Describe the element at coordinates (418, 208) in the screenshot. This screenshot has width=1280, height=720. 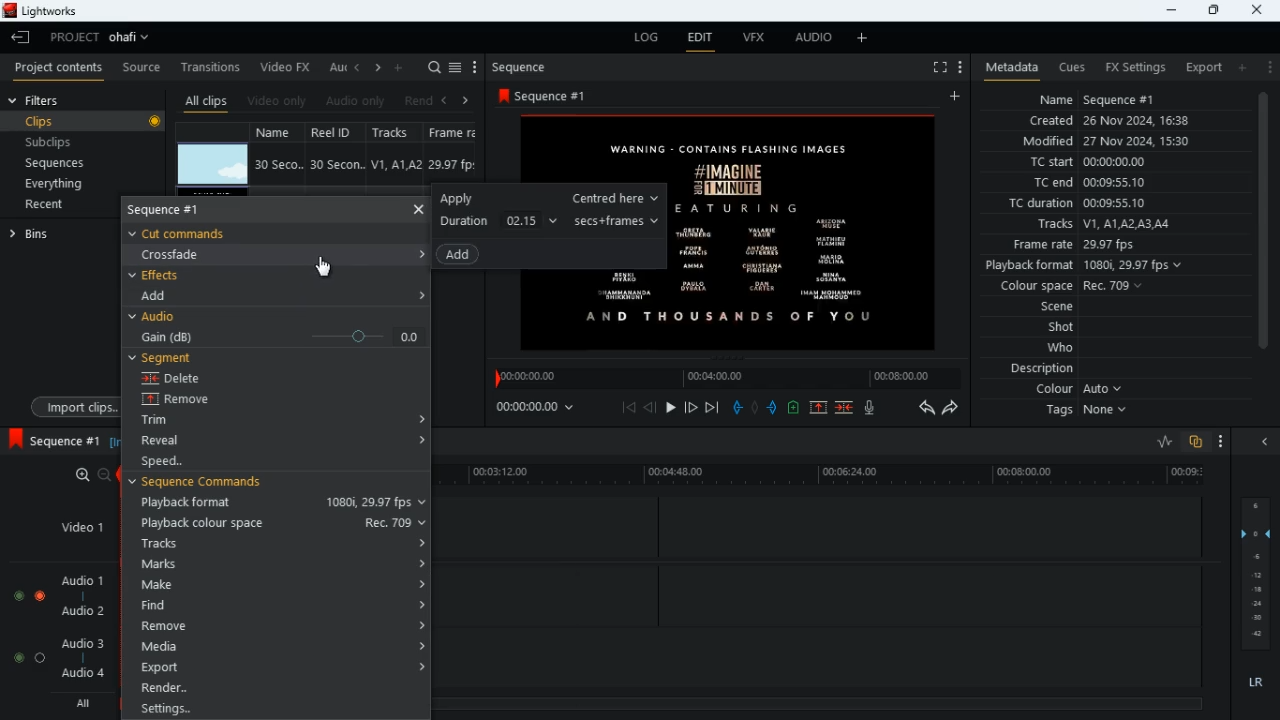
I see `close` at that location.